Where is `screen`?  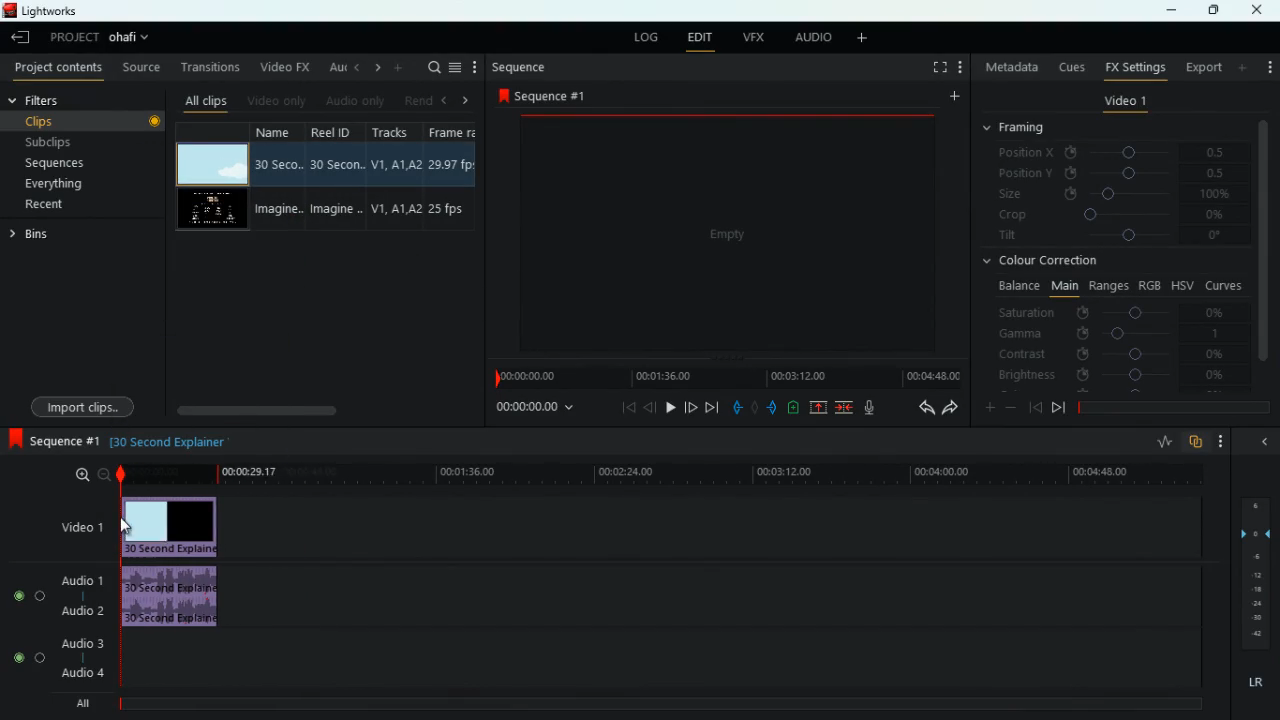
screen is located at coordinates (211, 164).